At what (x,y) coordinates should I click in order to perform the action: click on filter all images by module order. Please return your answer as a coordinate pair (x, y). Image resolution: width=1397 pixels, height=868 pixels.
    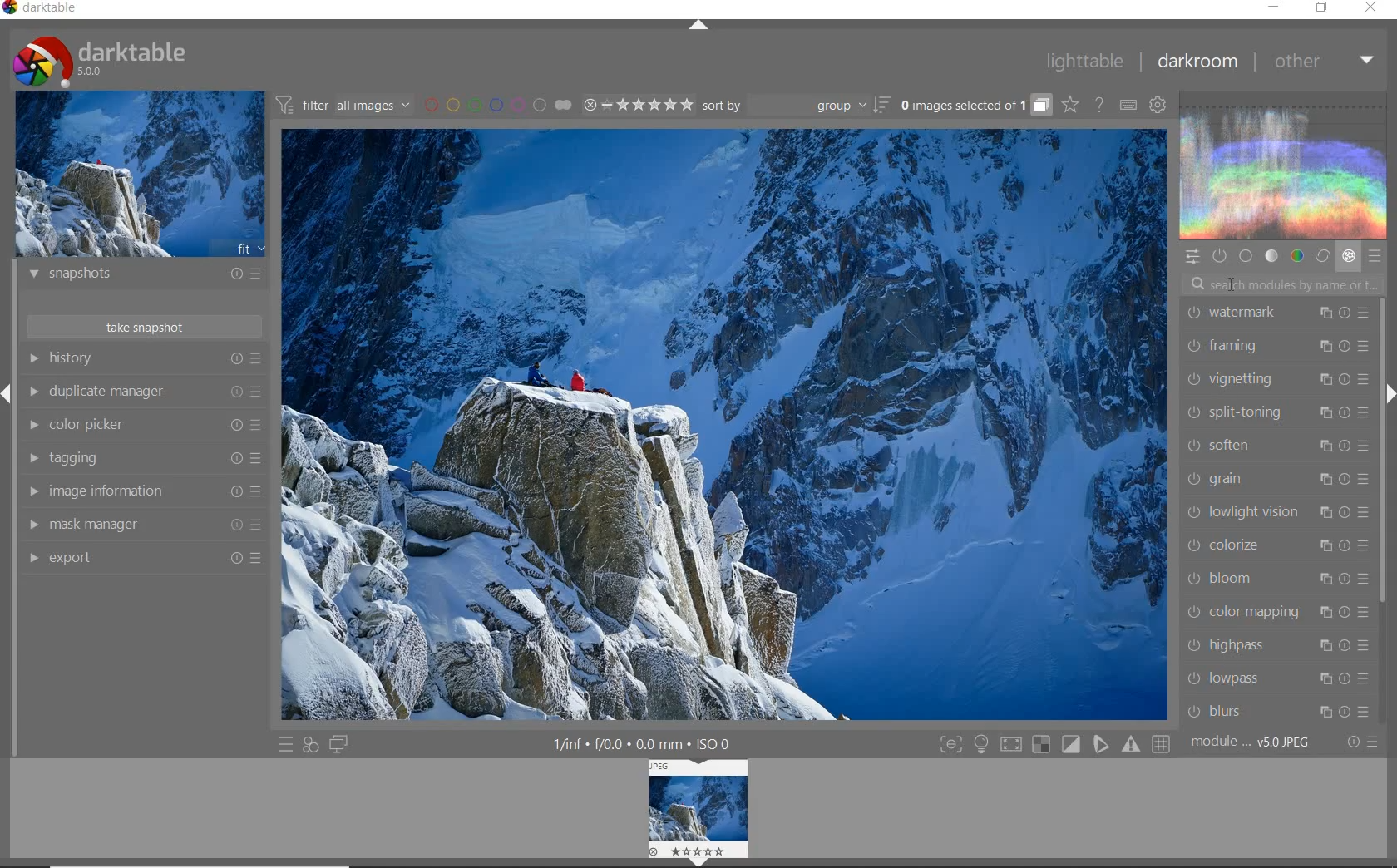
    Looking at the image, I should click on (344, 104).